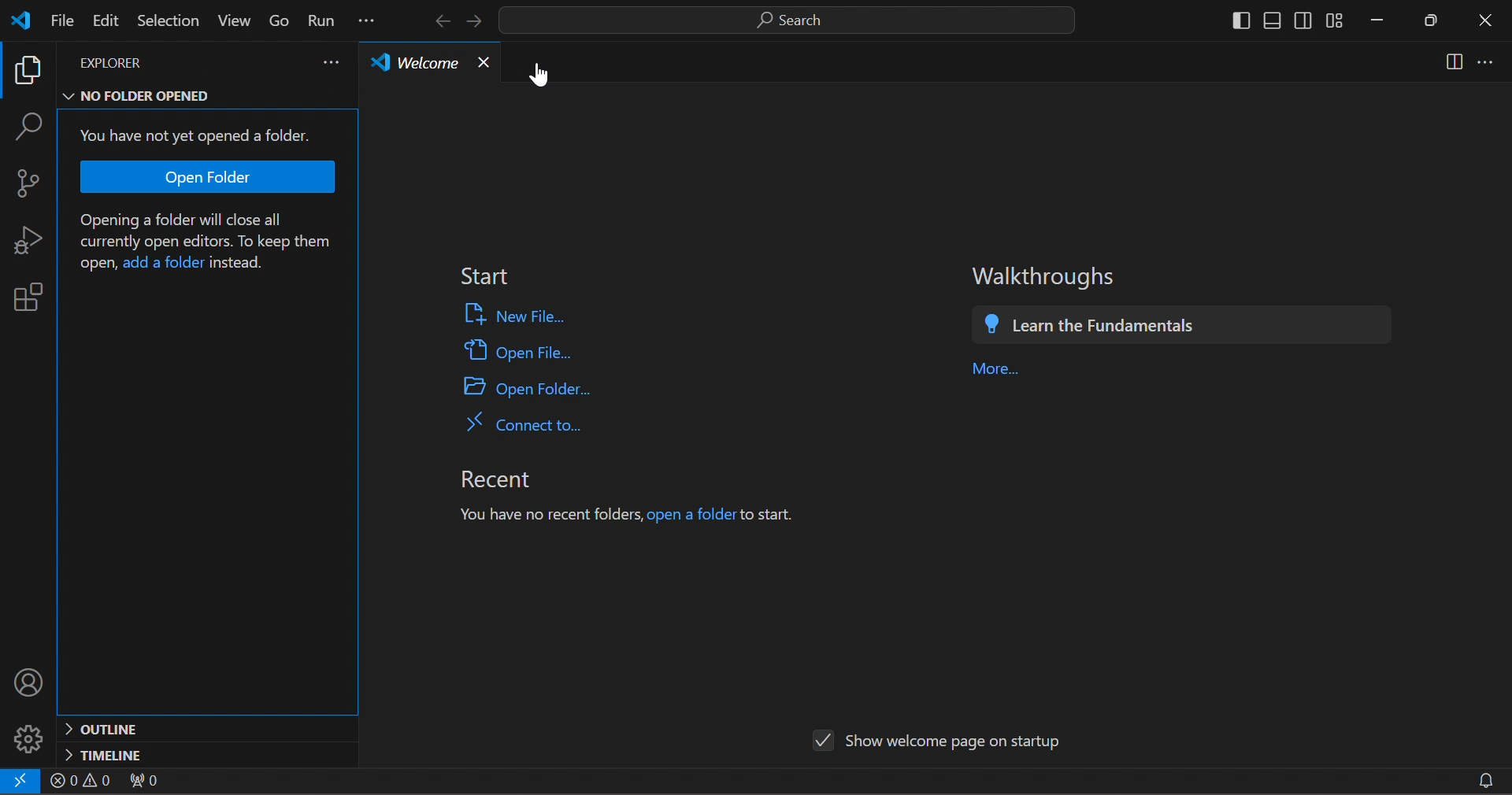 This screenshot has width=1512, height=795. Describe the element at coordinates (203, 755) in the screenshot. I see `timeline` at that location.